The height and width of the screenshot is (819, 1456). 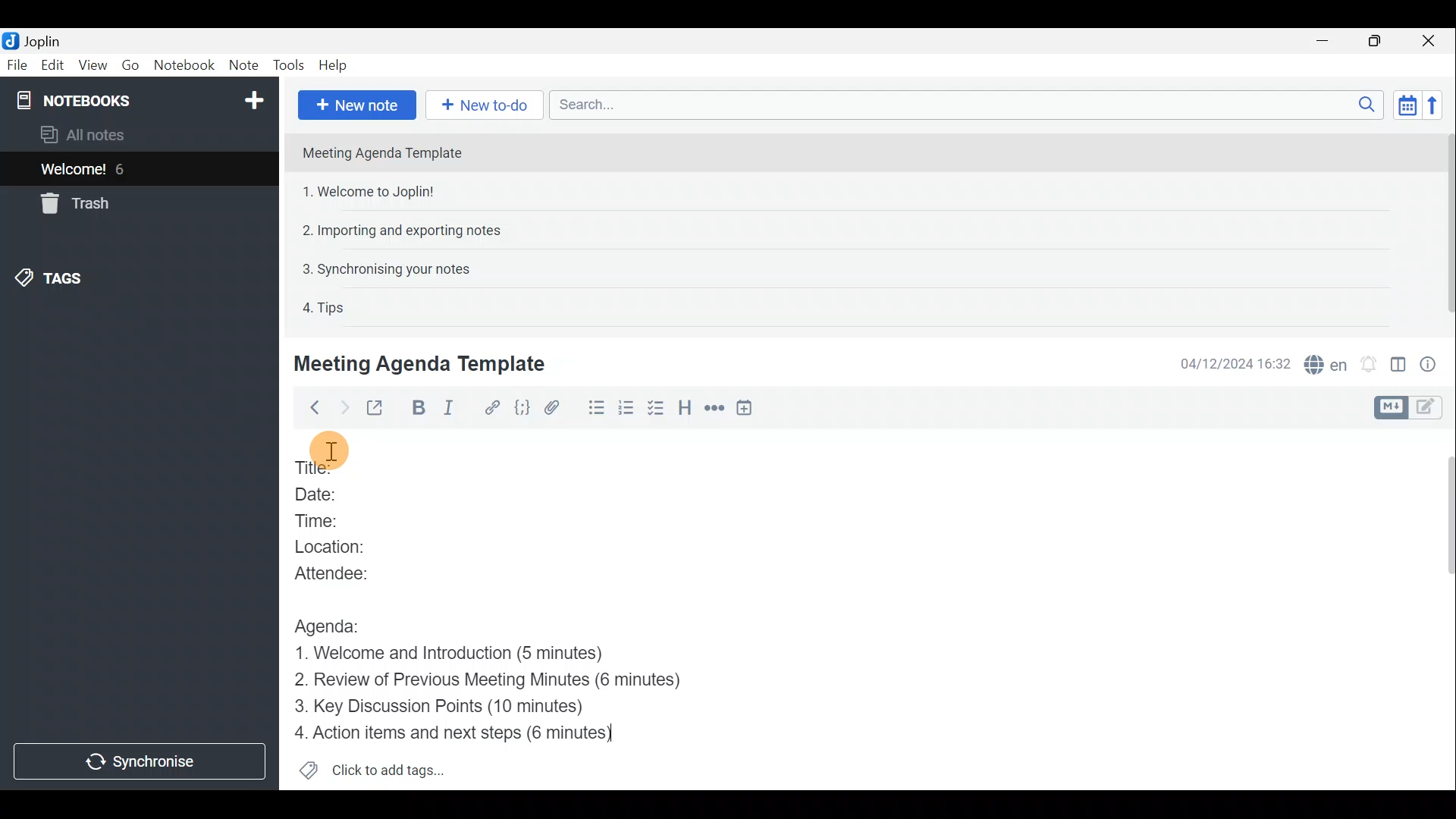 What do you see at coordinates (108, 134) in the screenshot?
I see `All notes` at bounding box center [108, 134].